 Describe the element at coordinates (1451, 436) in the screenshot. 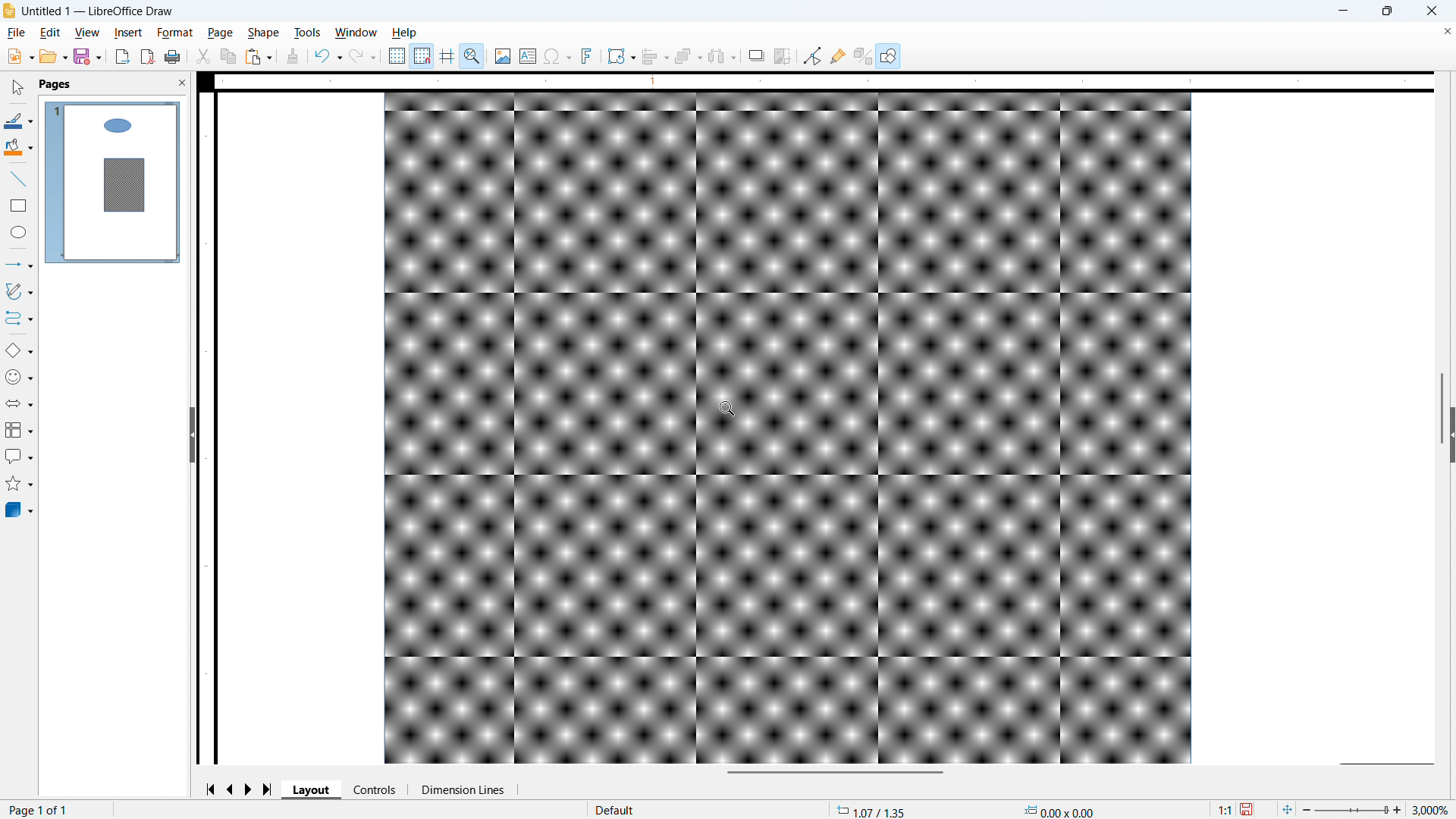

I see `Expand panel ` at that location.